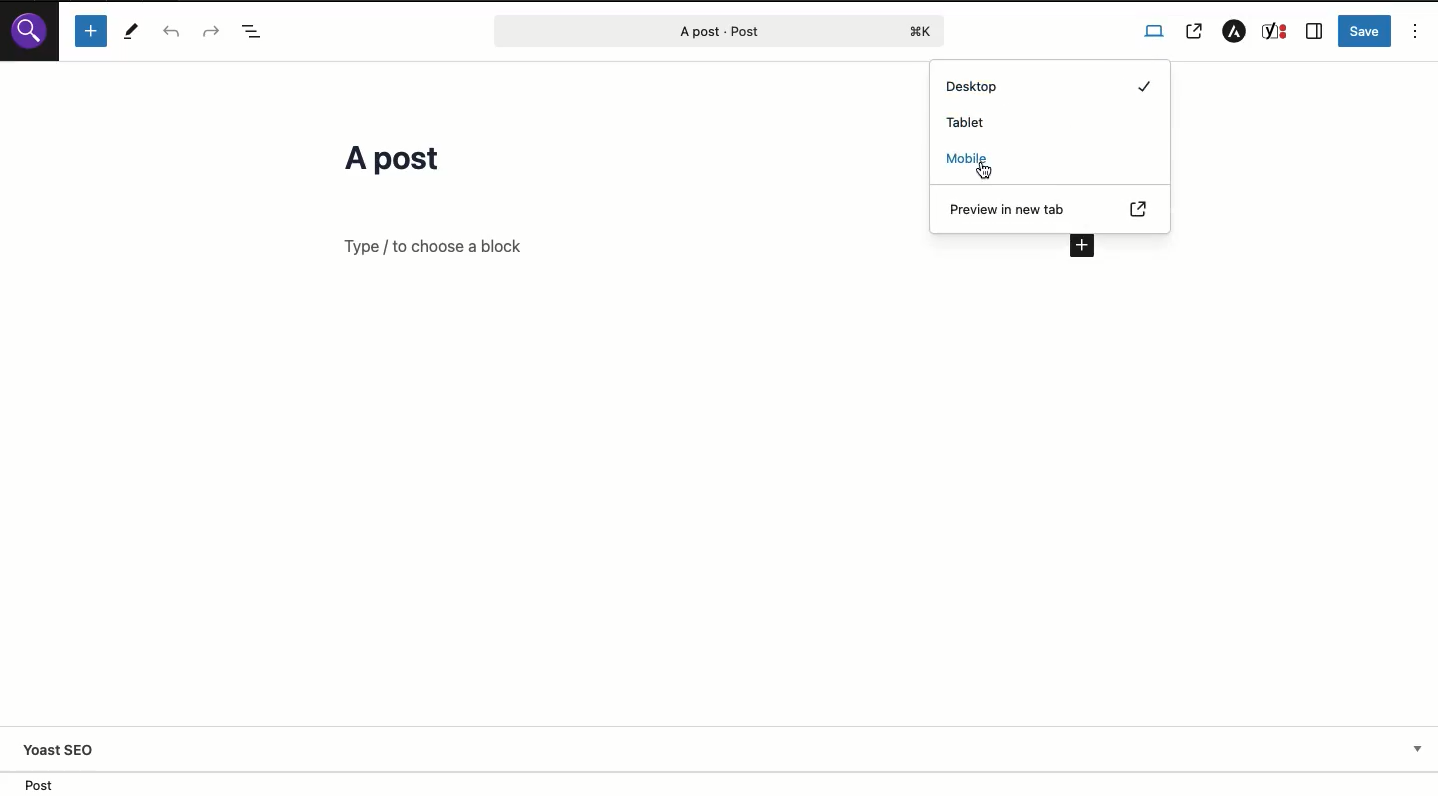 Image resolution: width=1438 pixels, height=796 pixels. What do you see at coordinates (1052, 210) in the screenshot?
I see `Preview in new tab` at bounding box center [1052, 210].